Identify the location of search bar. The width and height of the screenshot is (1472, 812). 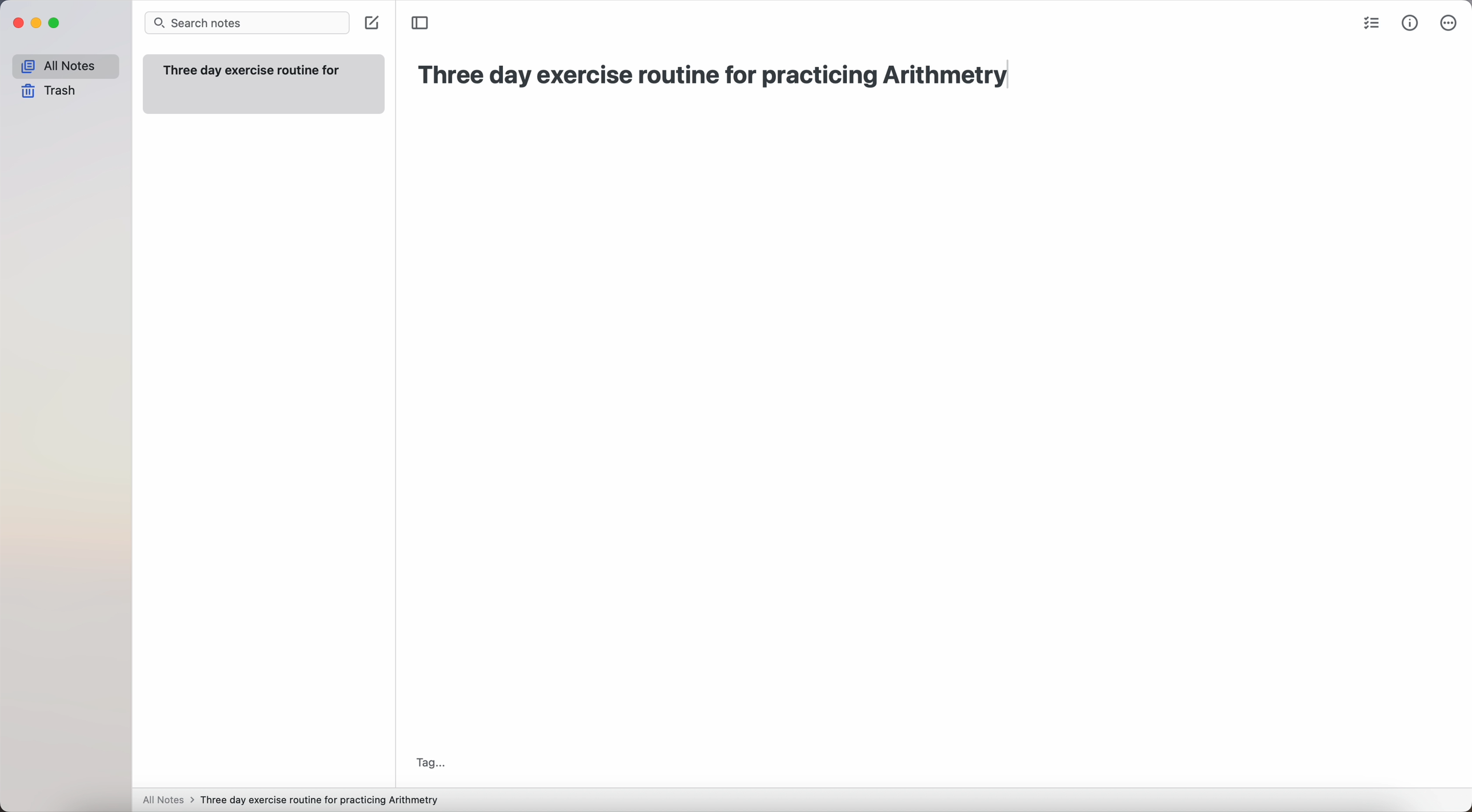
(246, 22).